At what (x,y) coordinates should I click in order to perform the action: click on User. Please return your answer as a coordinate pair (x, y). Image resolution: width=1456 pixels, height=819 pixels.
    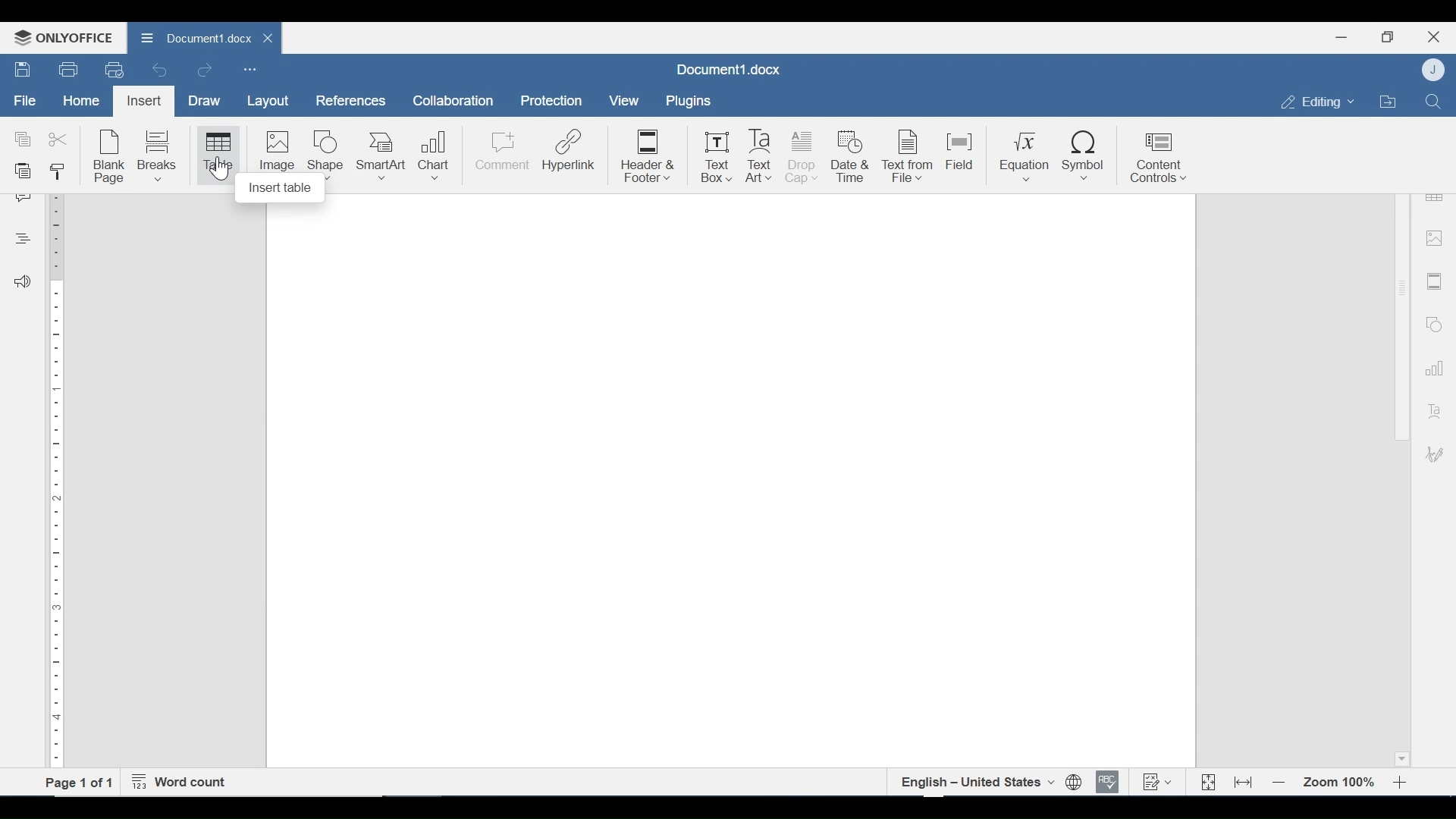
    Looking at the image, I should click on (1435, 69).